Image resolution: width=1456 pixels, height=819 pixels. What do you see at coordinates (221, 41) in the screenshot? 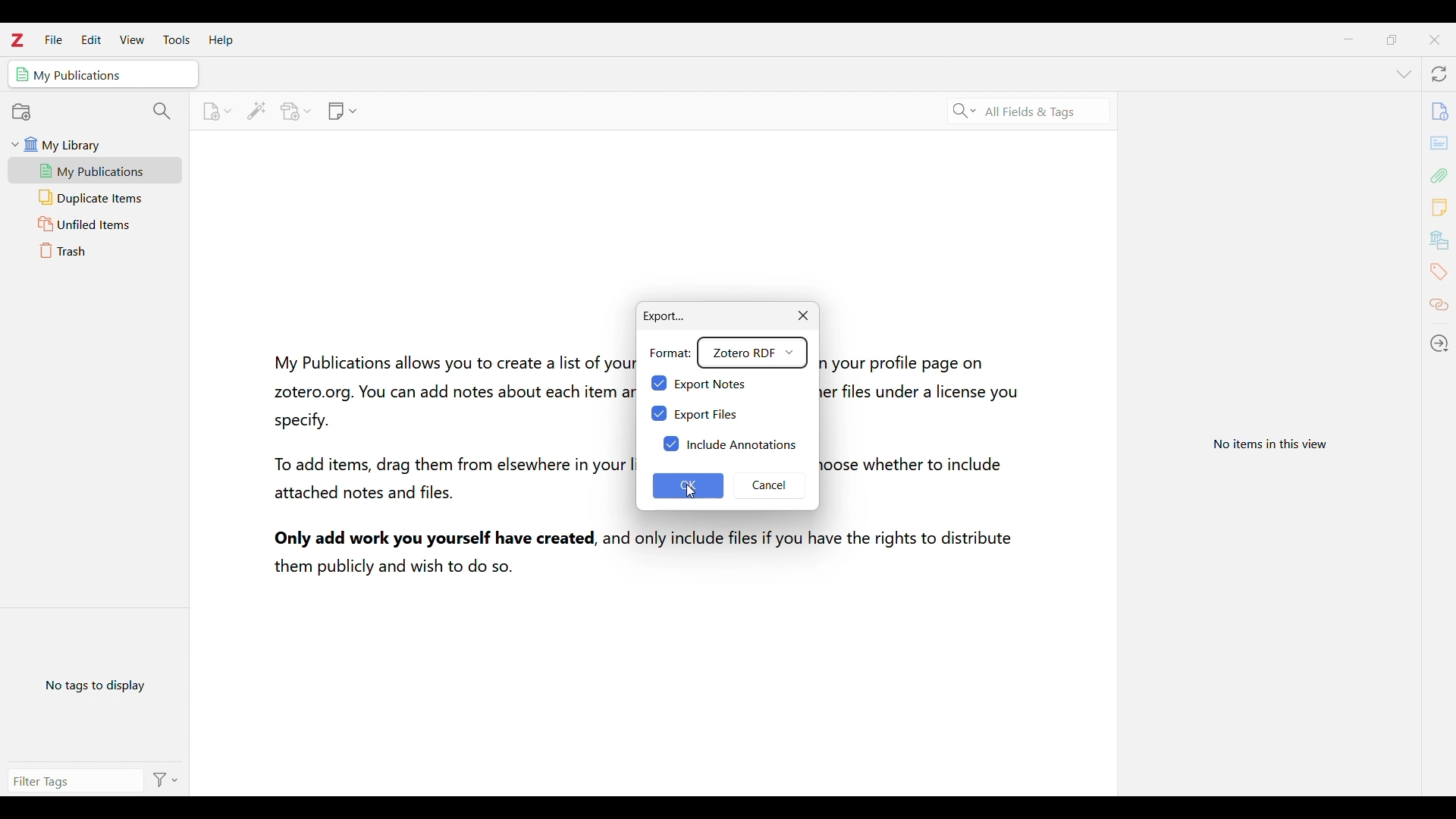
I see `Help` at bounding box center [221, 41].